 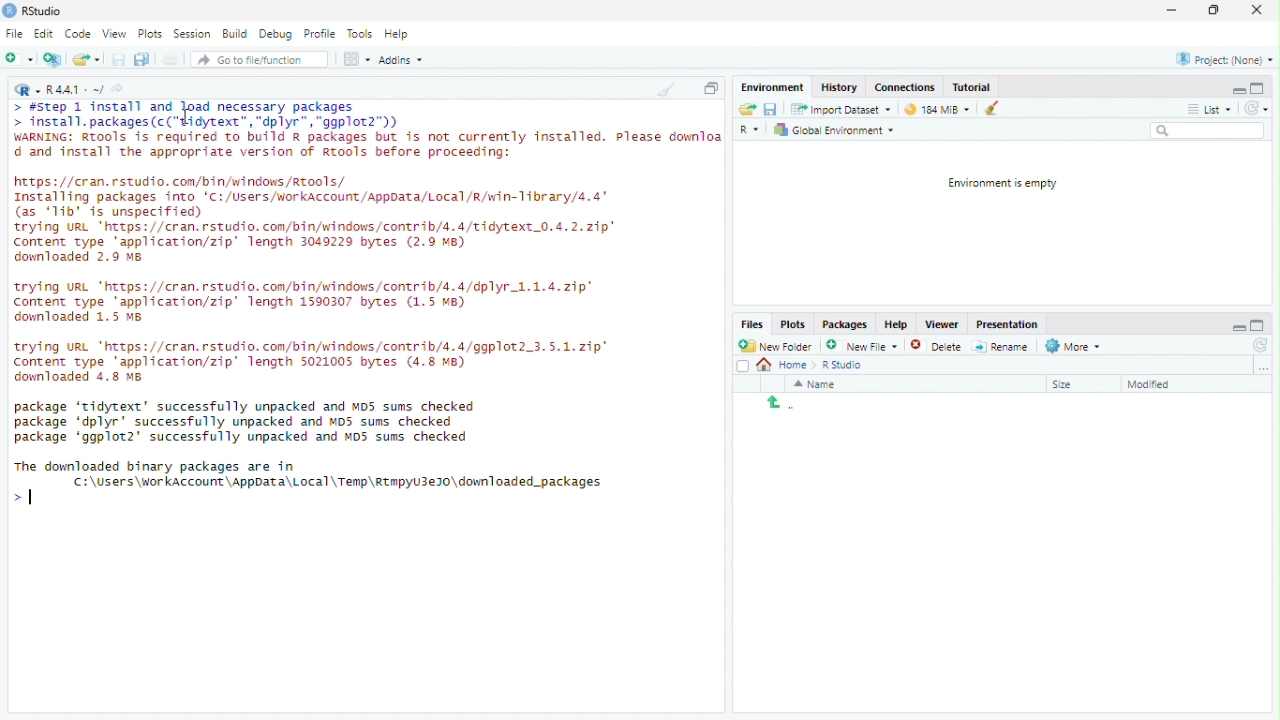 What do you see at coordinates (149, 34) in the screenshot?
I see `Plots` at bounding box center [149, 34].